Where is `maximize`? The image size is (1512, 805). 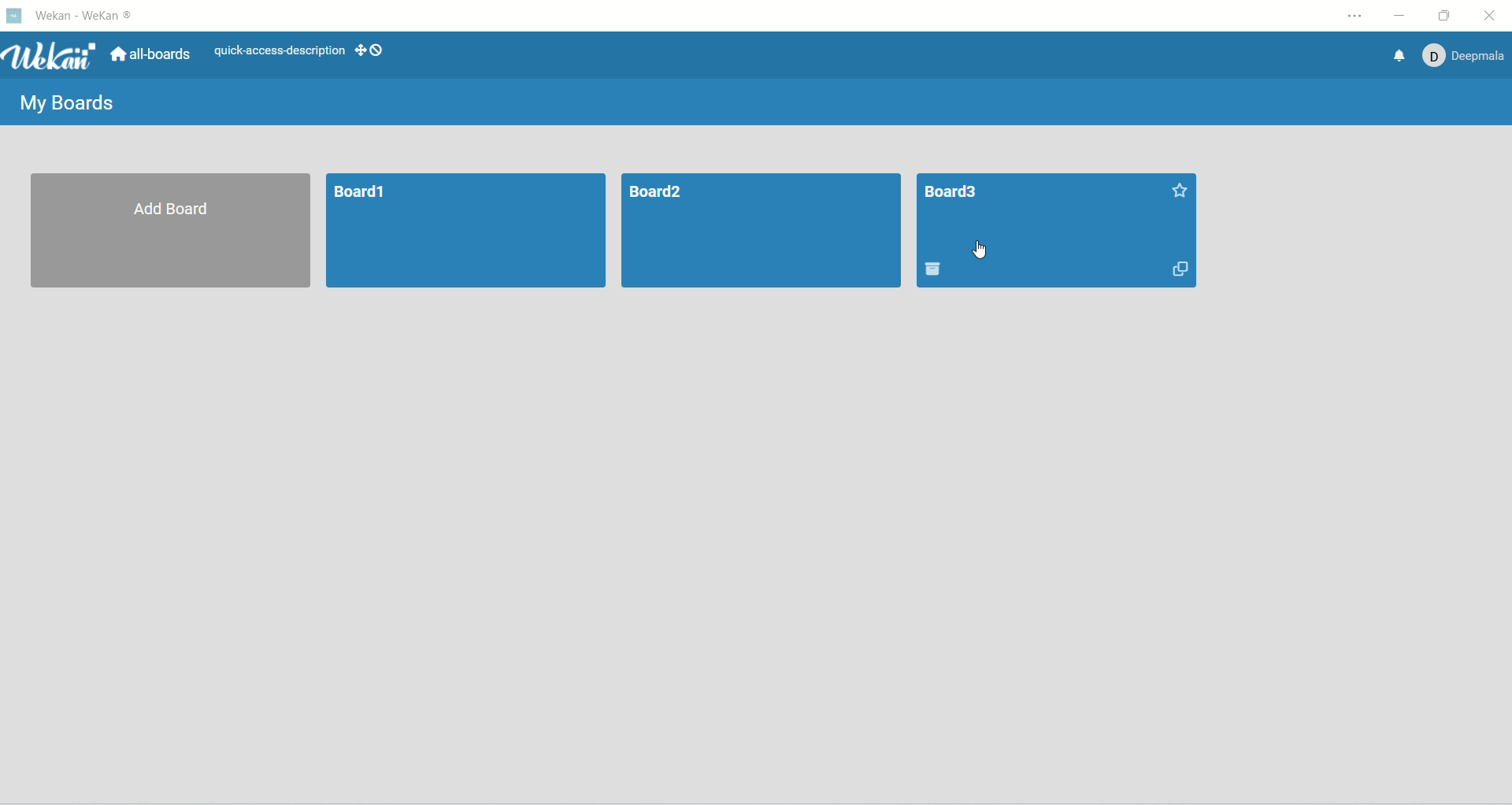
maximize is located at coordinates (1447, 14).